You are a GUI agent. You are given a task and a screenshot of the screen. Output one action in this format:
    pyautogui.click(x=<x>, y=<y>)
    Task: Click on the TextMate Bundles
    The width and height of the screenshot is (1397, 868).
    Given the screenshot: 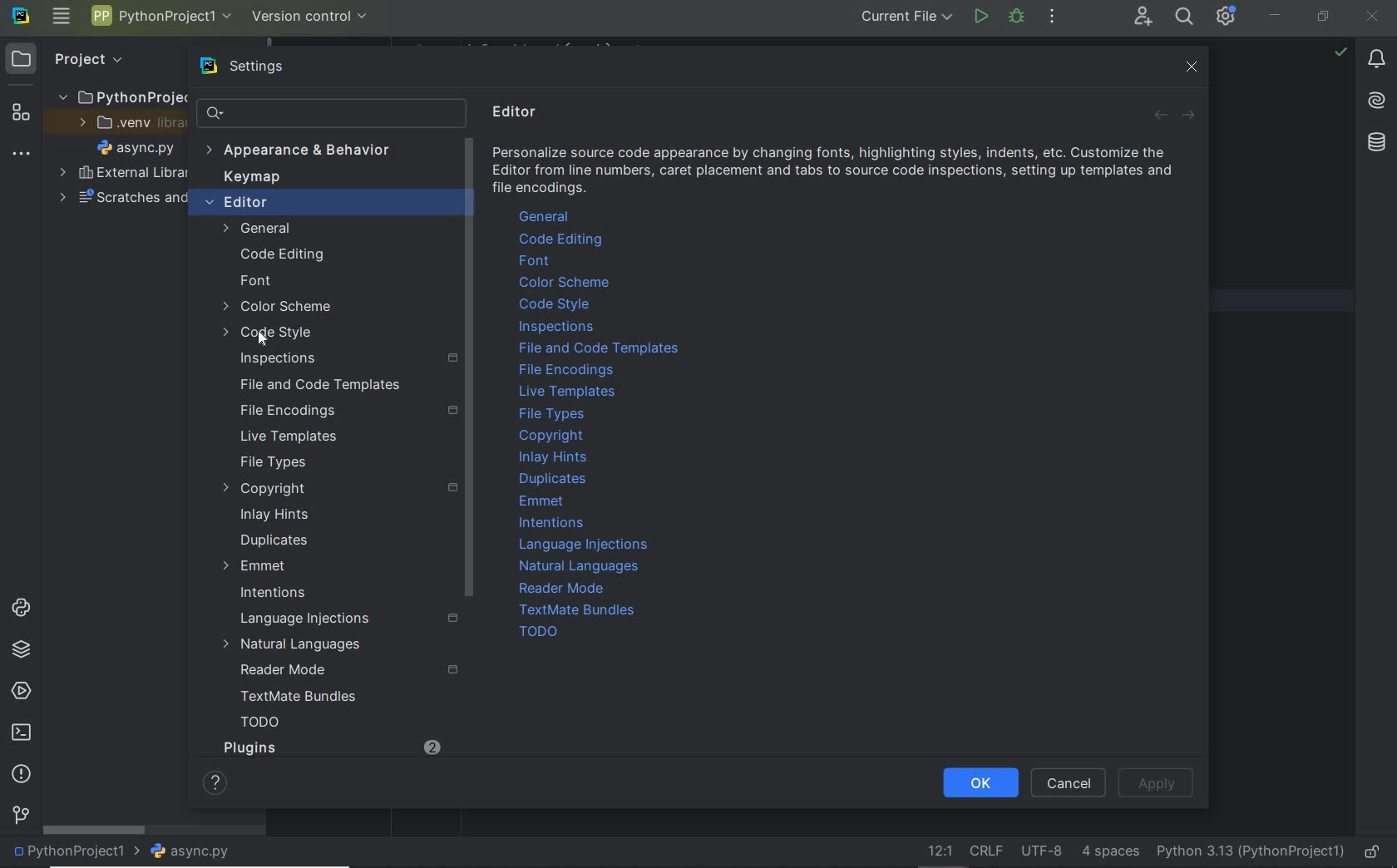 What is the action you would take?
    pyautogui.click(x=582, y=610)
    